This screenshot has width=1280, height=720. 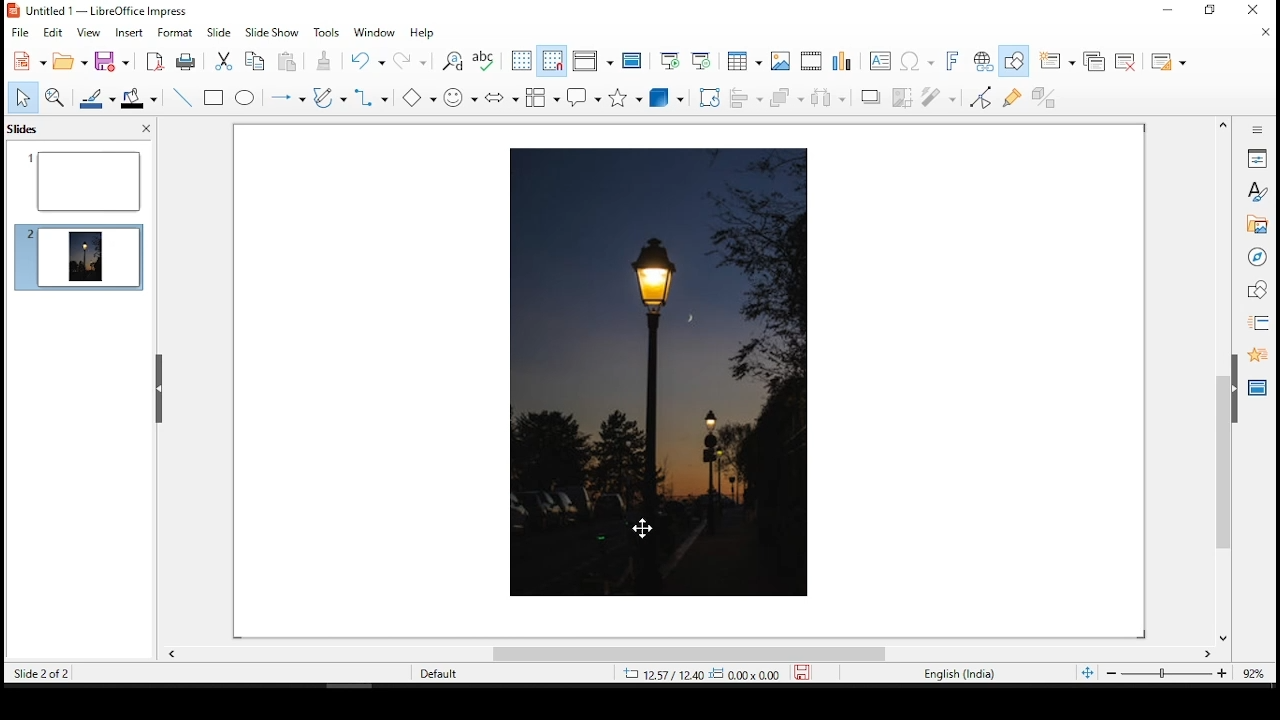 I want to click on display views, so click(x=596, y=61).